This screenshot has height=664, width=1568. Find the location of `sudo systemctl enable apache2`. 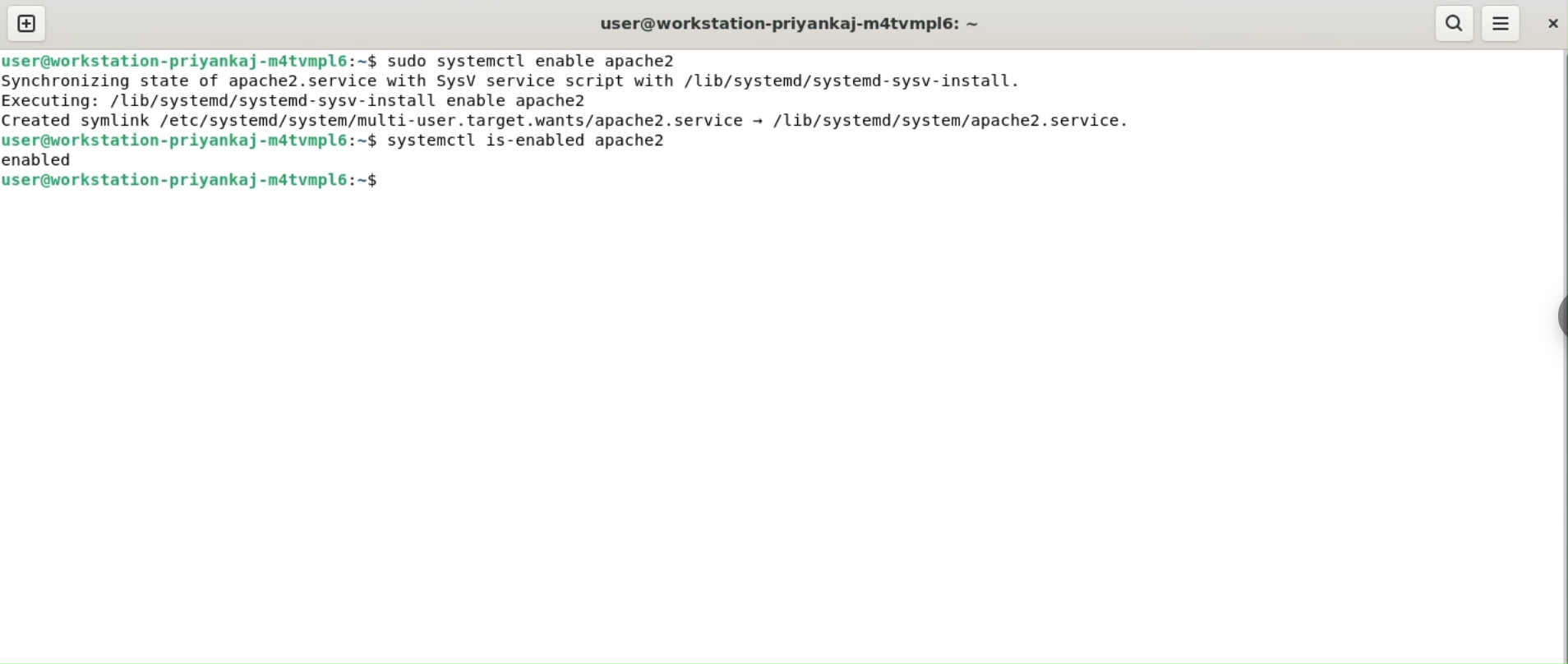

sudo systemctl enable apache2 is located at coordinates (532, 61).